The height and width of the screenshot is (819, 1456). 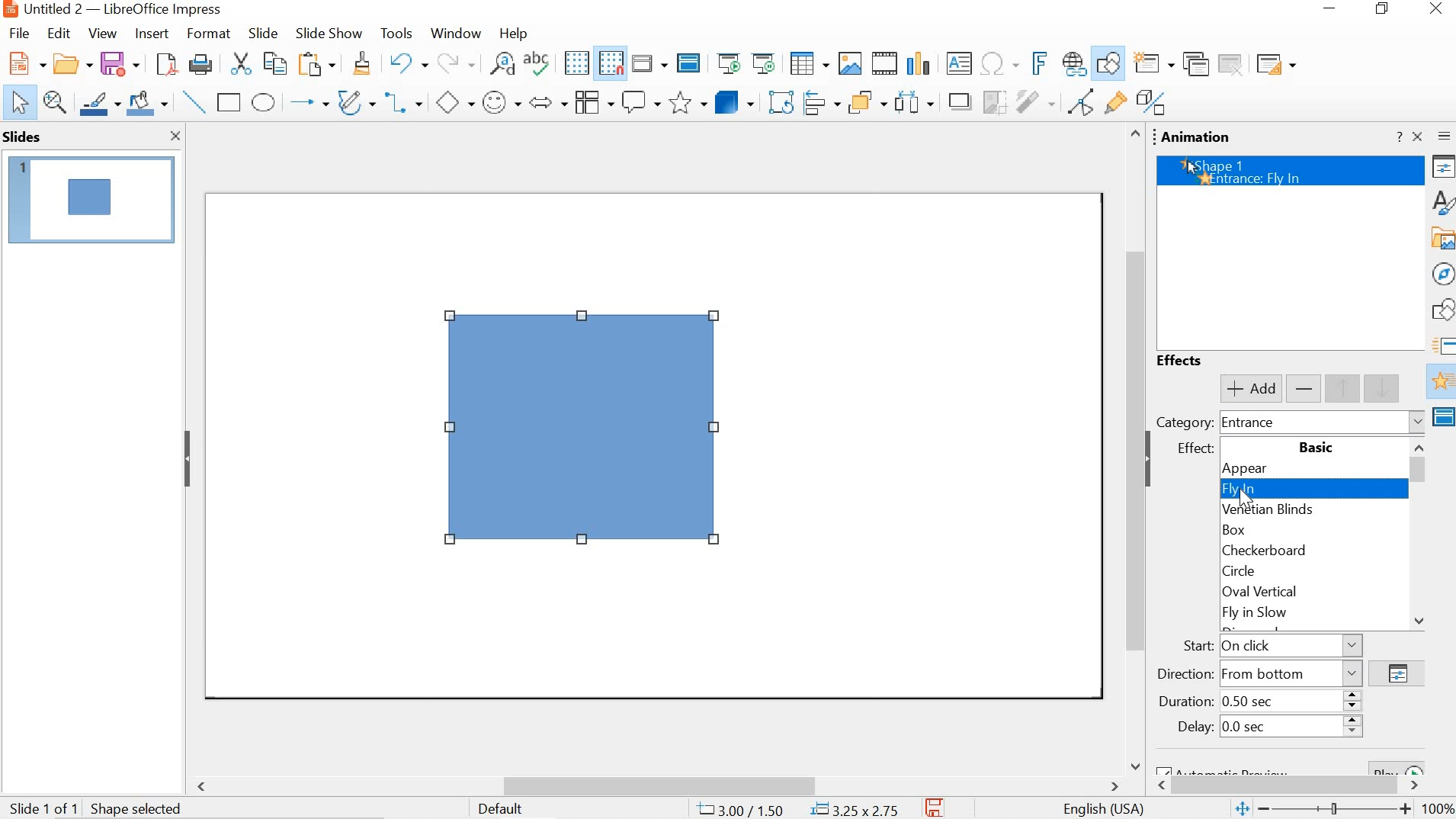 I want to click on hide, so click(x=189, y=458).